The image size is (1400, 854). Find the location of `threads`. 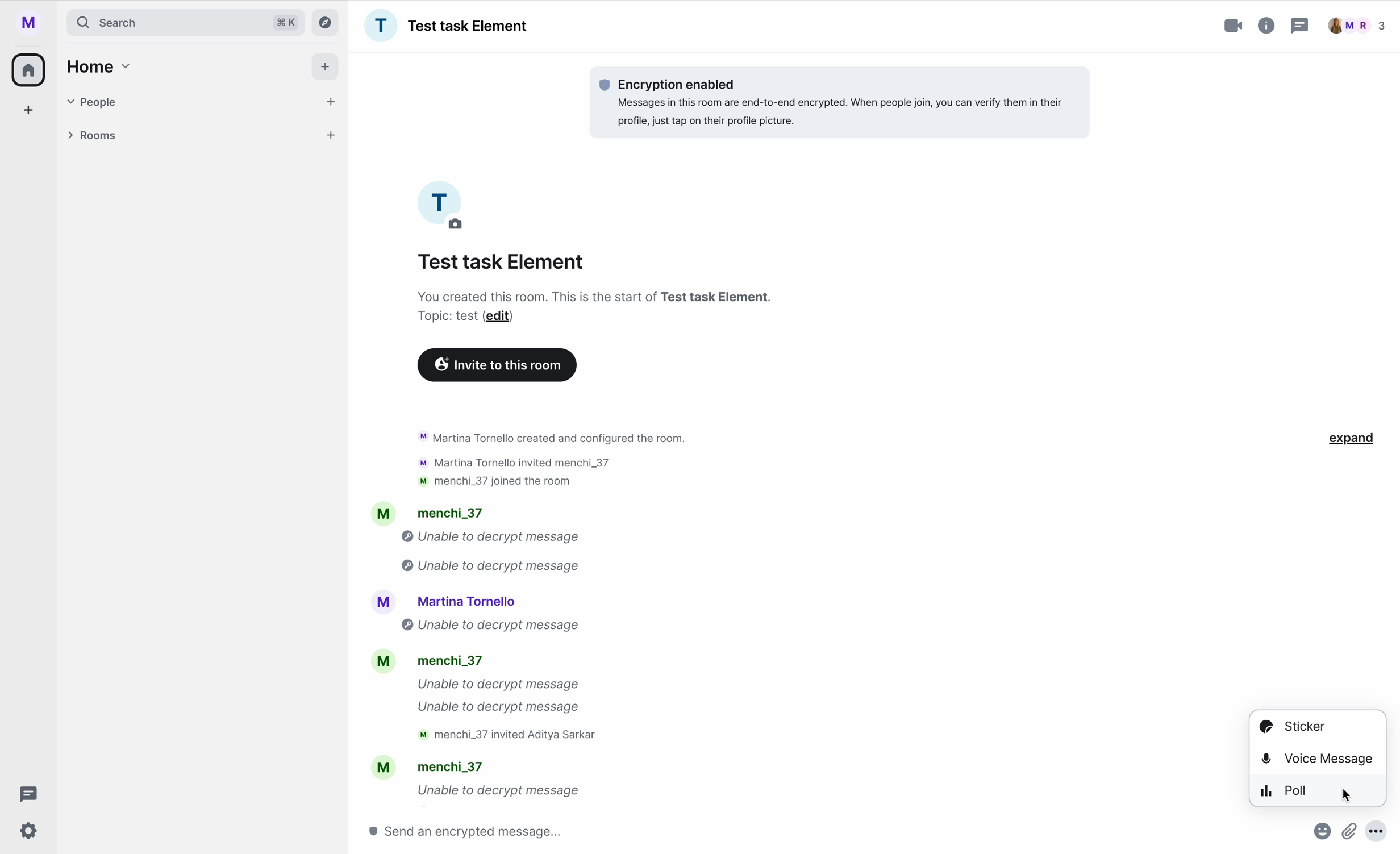

threads is located at coordinates (1298, 27).